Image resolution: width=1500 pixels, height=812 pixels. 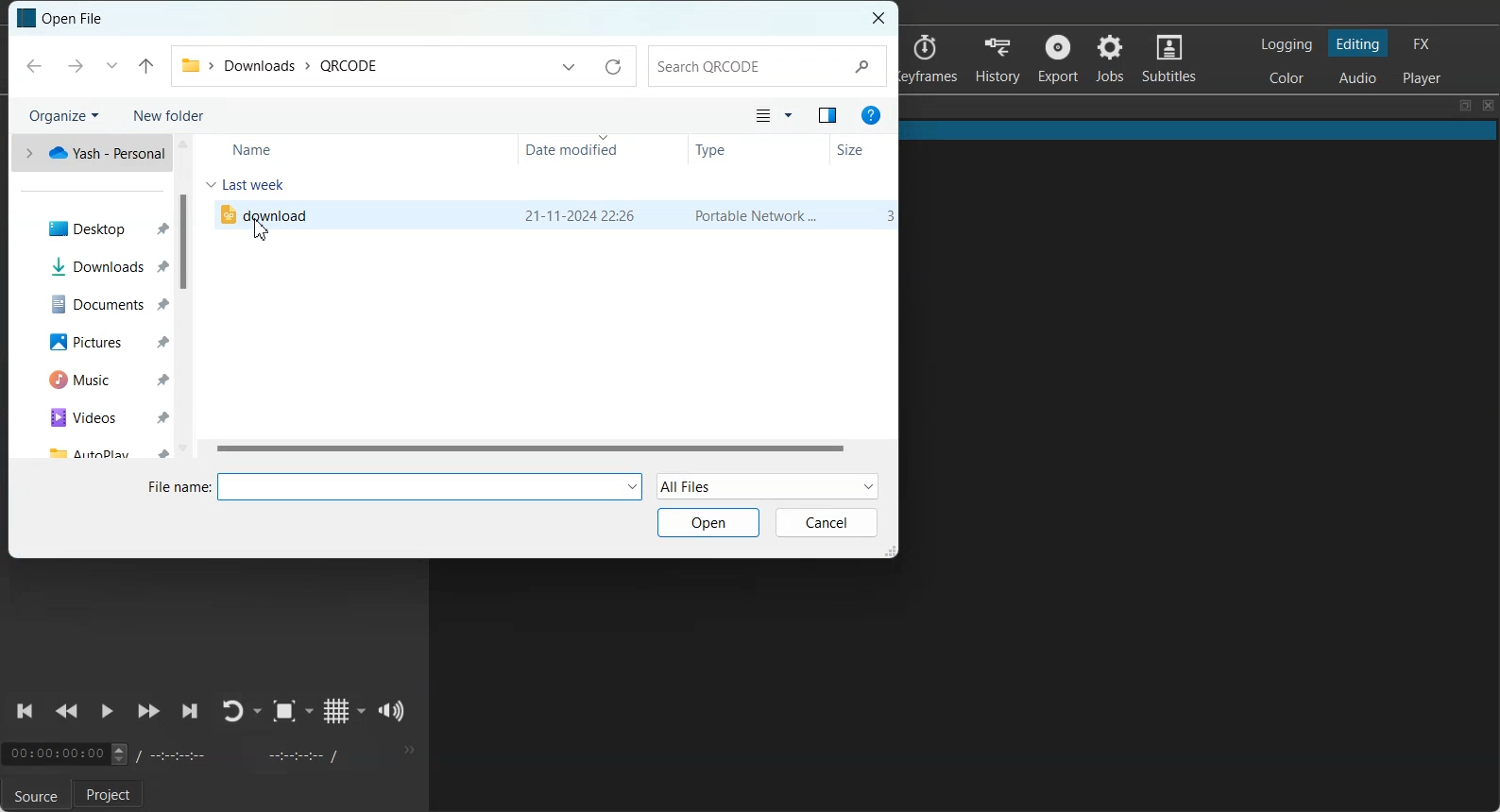 What do you see at coordinates (148, 712) in the screenshot?
I see `Play Quickly Forward` at bounding box center [148, 712].